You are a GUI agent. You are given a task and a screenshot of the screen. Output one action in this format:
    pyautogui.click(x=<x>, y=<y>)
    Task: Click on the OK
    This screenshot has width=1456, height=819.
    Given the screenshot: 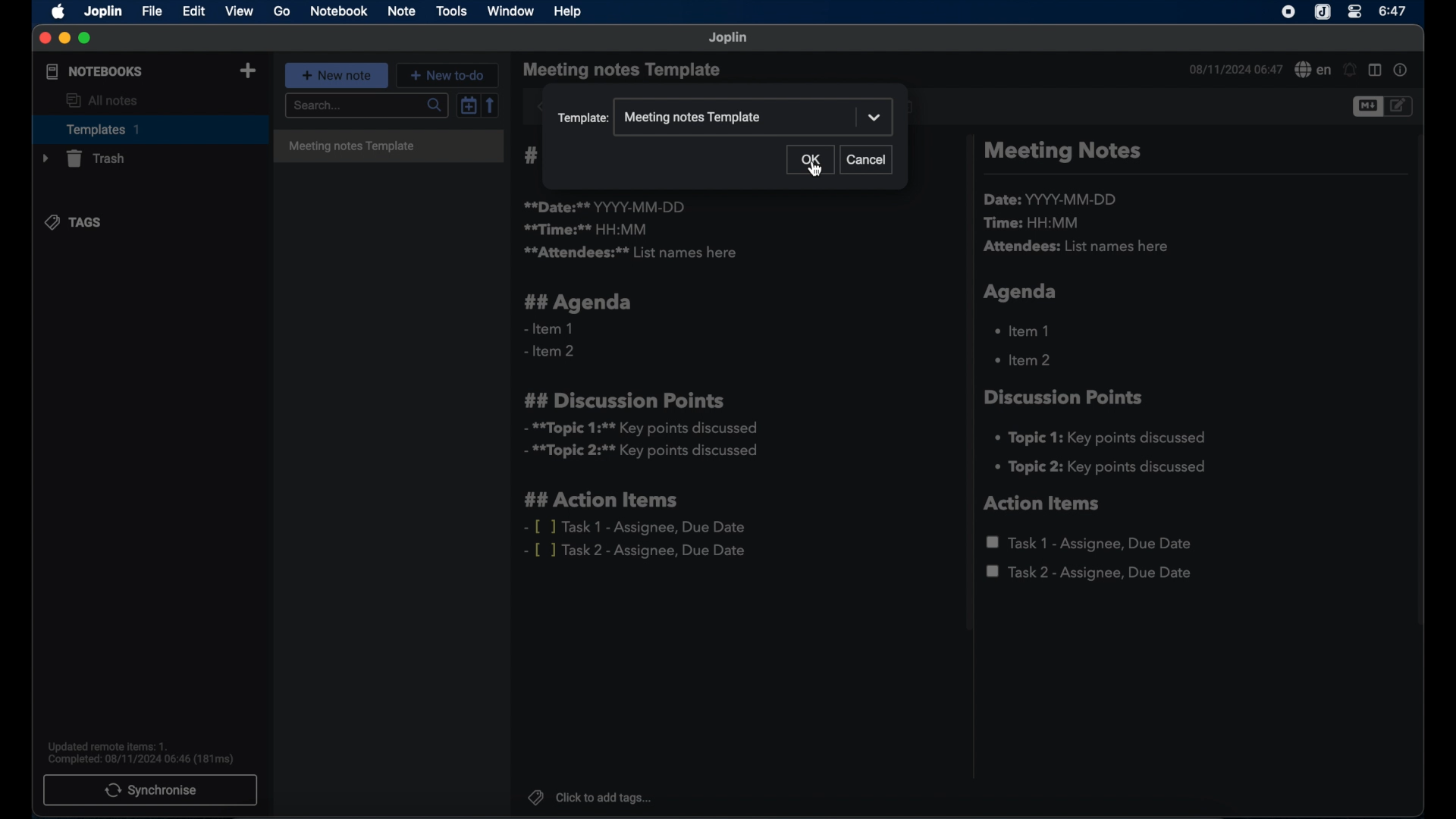 What is the action you would take?
    pyautogui.click(x=809, y=161)
    